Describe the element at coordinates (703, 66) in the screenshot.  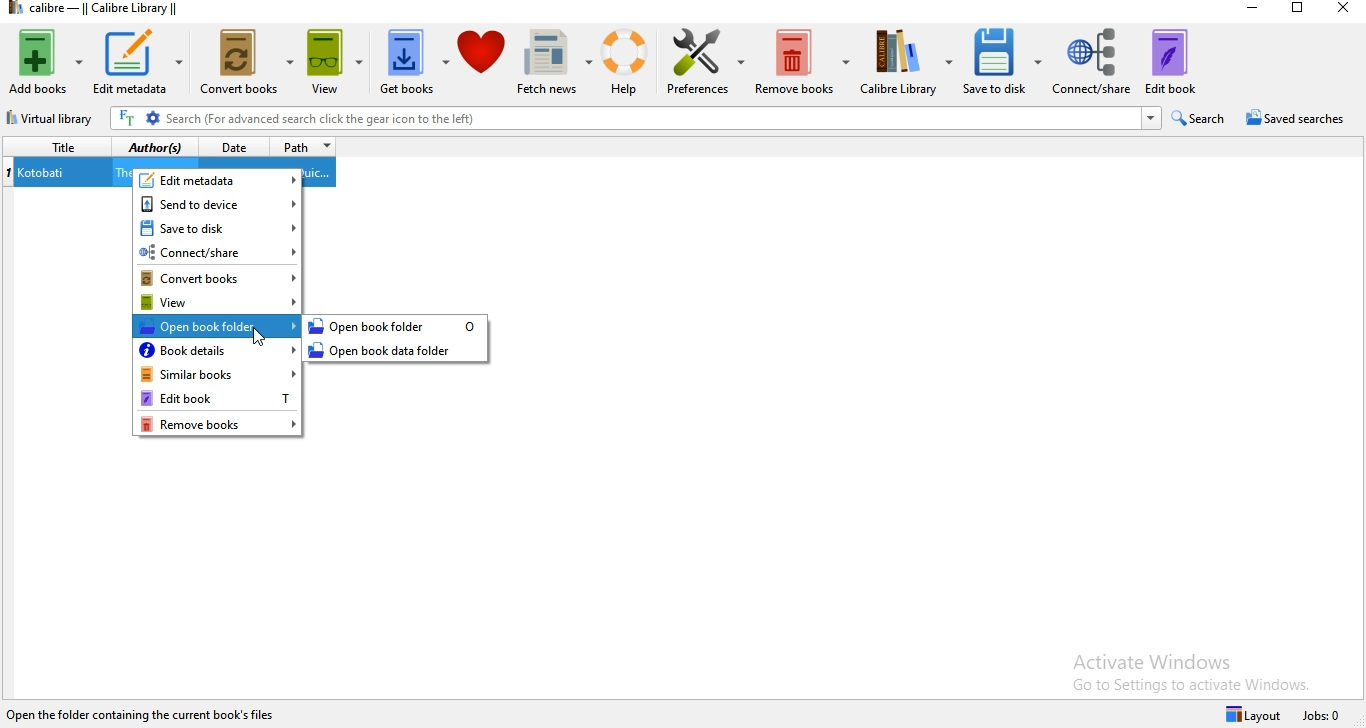
I see `preferences` at that location.